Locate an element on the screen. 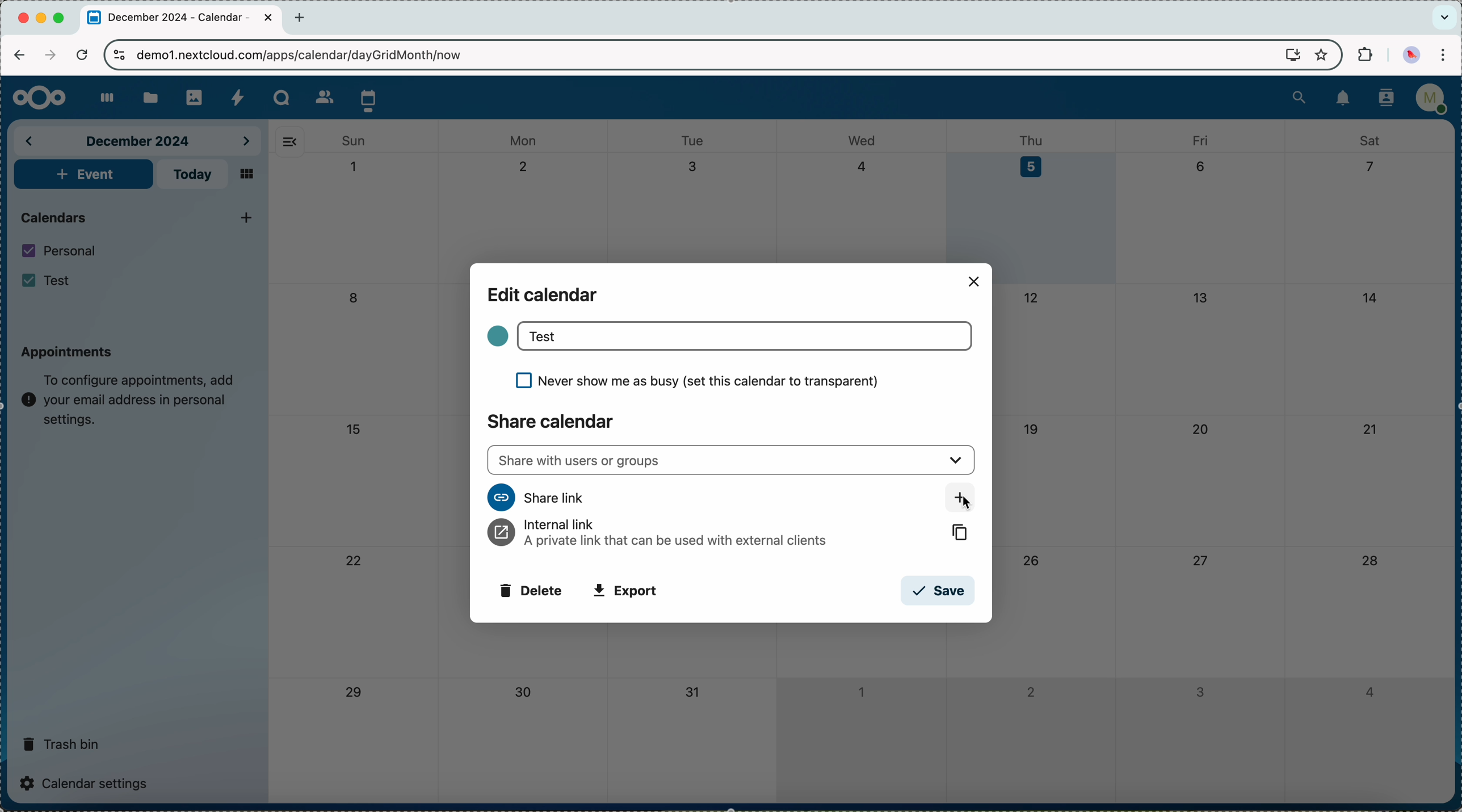 The height and width of the screenshot is (812, 1462). 20 is located at coordinates (1201, 429).